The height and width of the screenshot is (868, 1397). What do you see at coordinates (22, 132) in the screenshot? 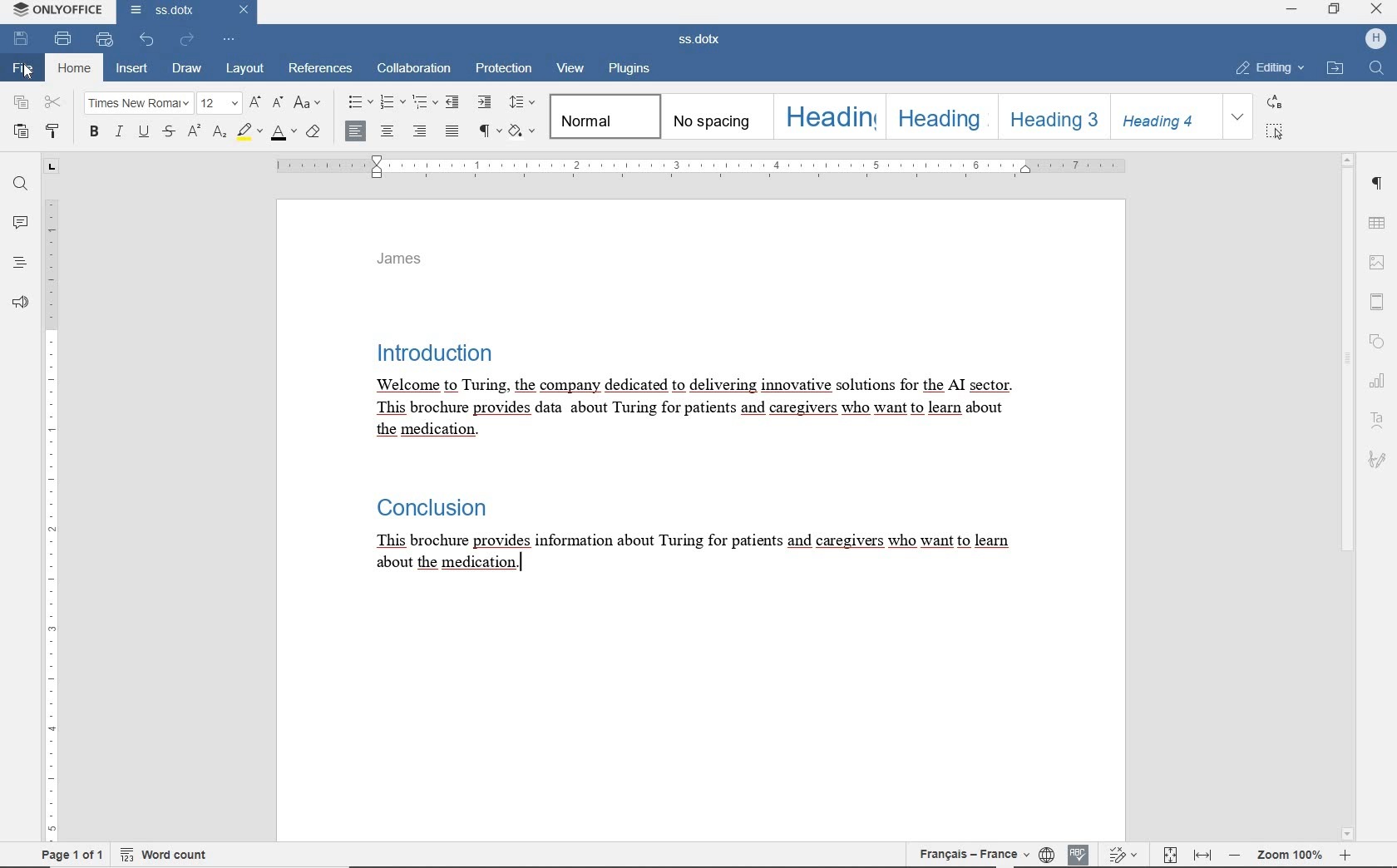
I see `PASTE` at bounding box center [22, 132].